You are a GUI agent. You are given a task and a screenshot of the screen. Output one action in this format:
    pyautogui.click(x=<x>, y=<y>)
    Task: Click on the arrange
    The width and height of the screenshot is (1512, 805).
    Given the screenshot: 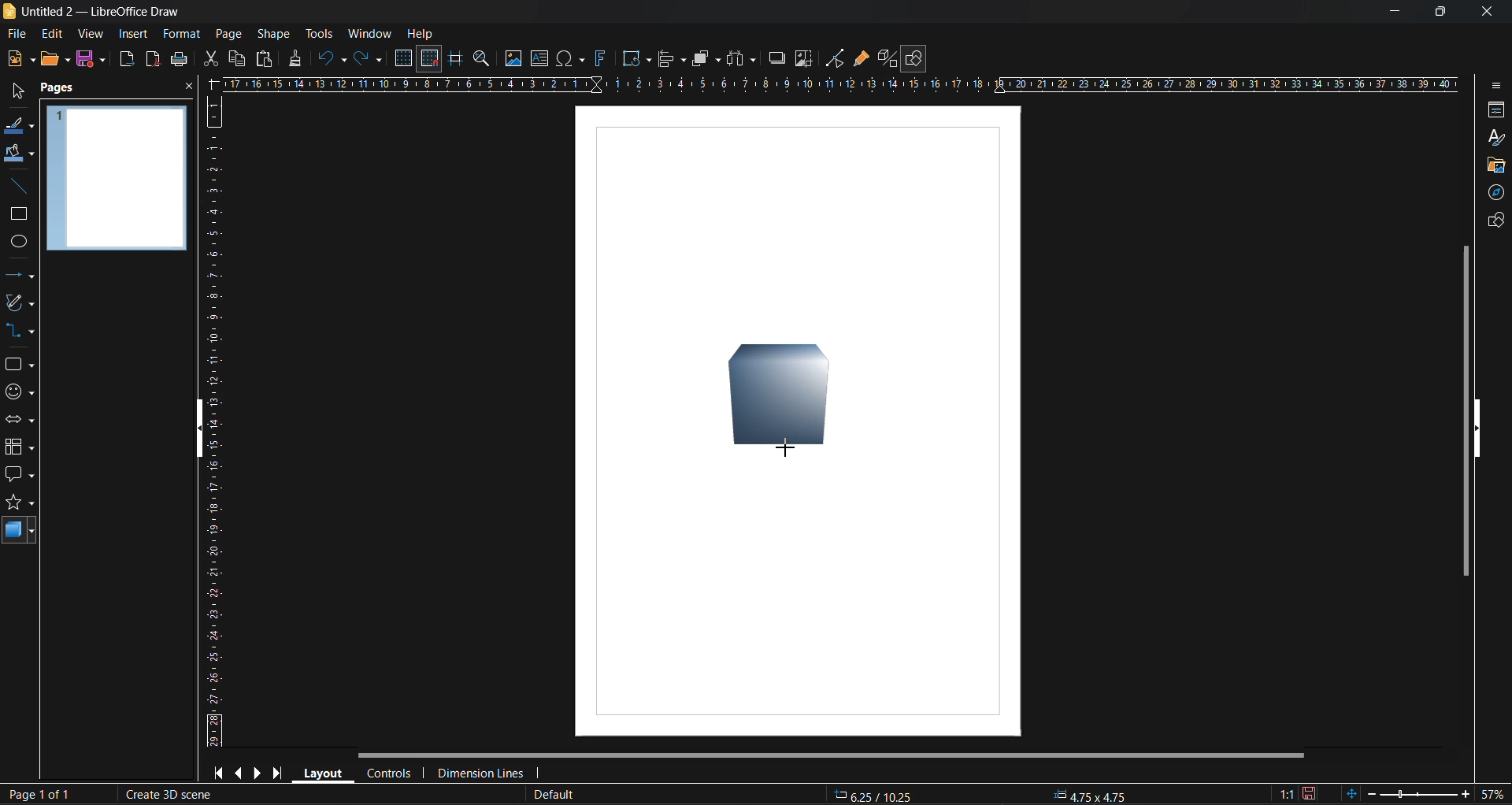 What is the action you would take?
    pyautogui.click(x=704, y=58)
    